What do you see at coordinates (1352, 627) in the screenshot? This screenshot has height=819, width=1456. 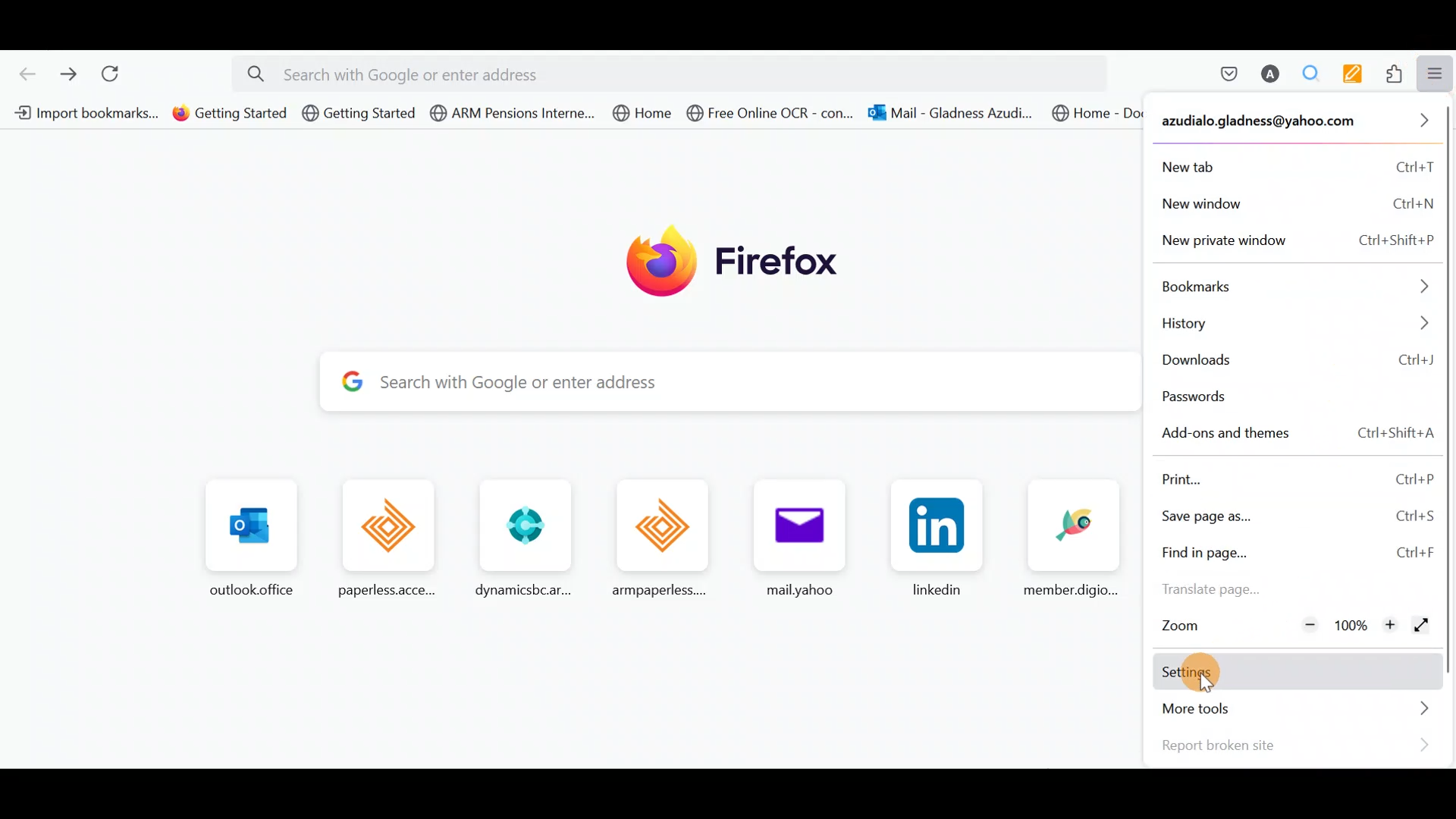 I see `100%` at bounding box center [1352, 627].